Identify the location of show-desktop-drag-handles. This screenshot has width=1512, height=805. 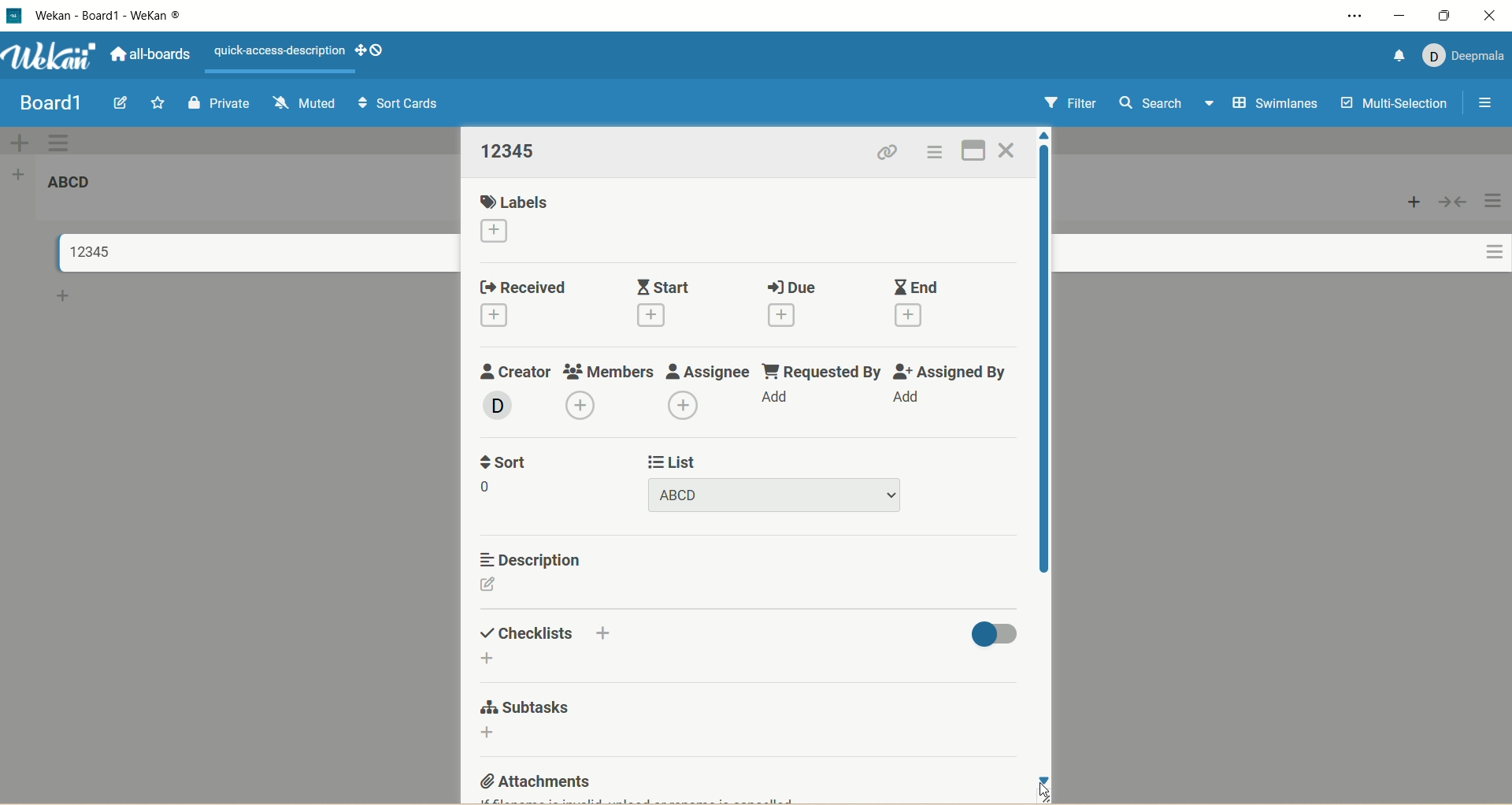
(357, 48).